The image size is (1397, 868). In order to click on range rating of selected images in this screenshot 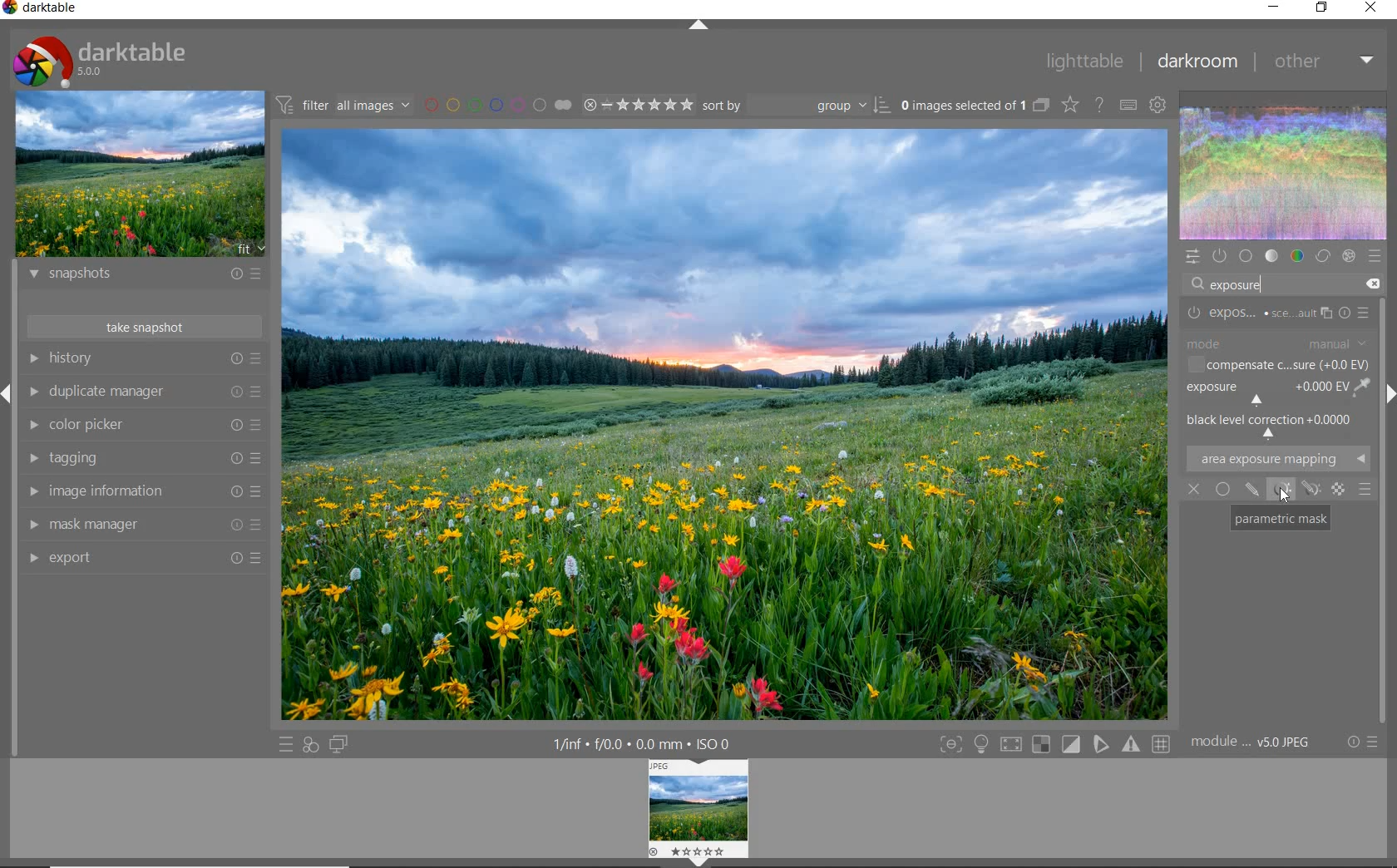, I will do `click(640, 106)`.